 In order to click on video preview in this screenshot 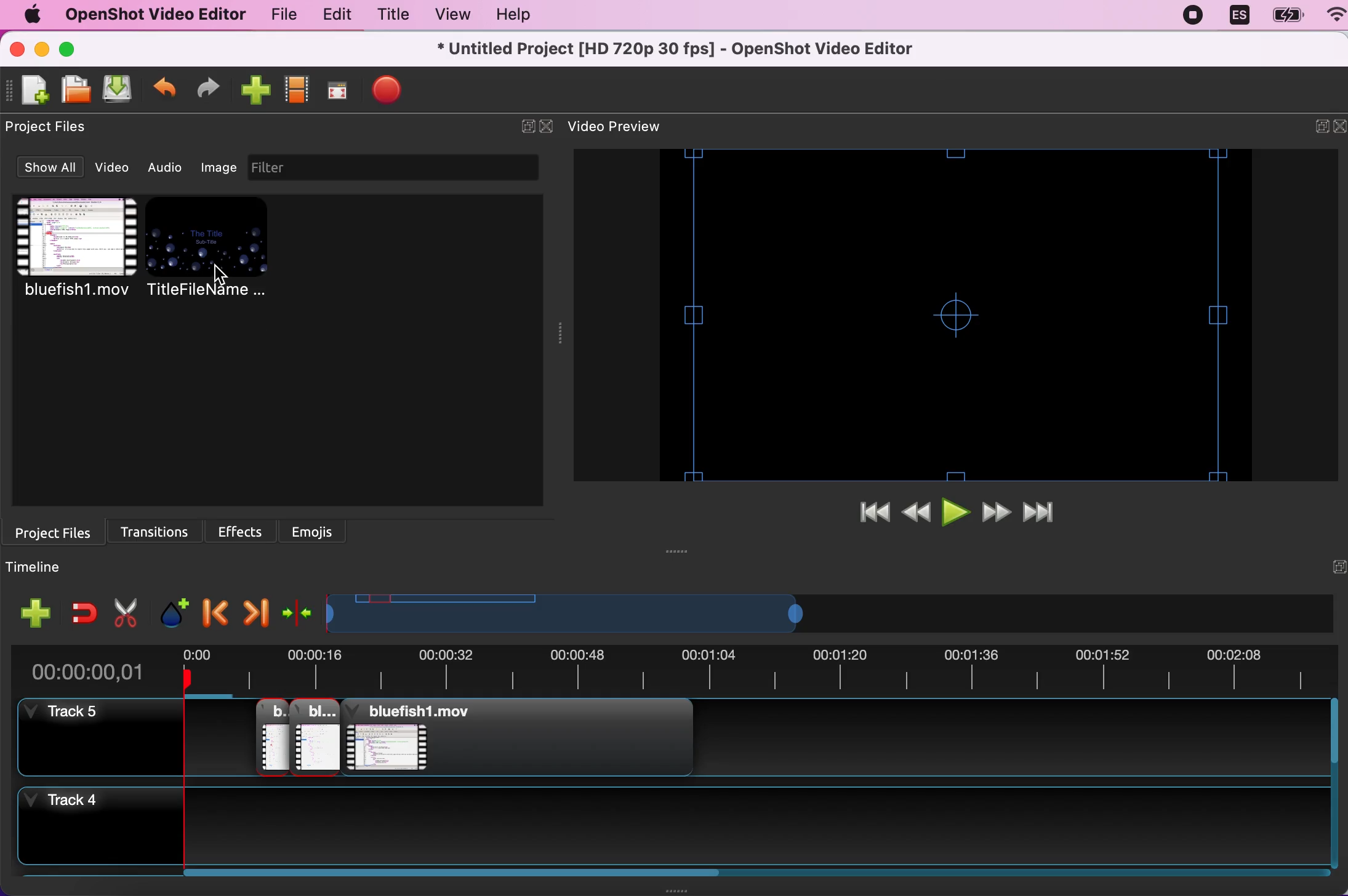, I will do `click(960, 315)`.